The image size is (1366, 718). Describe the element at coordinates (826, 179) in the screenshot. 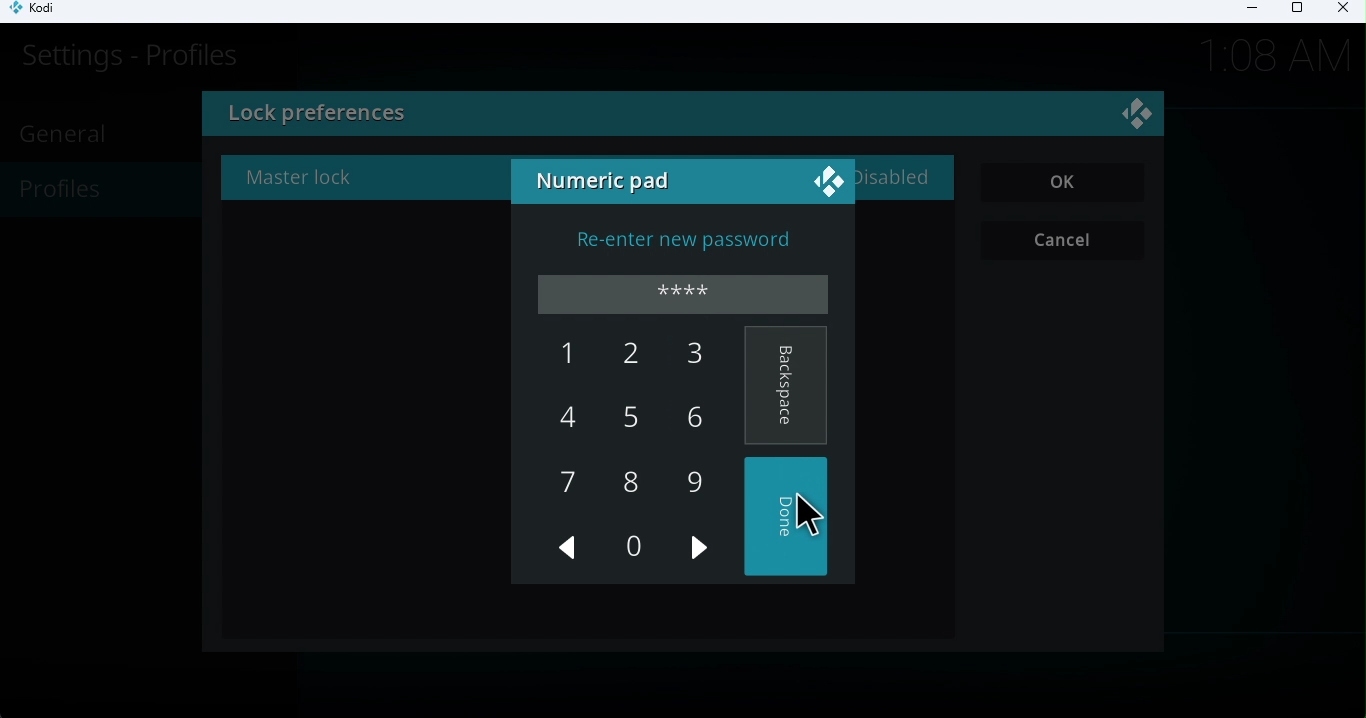

I see `logo` at that location.